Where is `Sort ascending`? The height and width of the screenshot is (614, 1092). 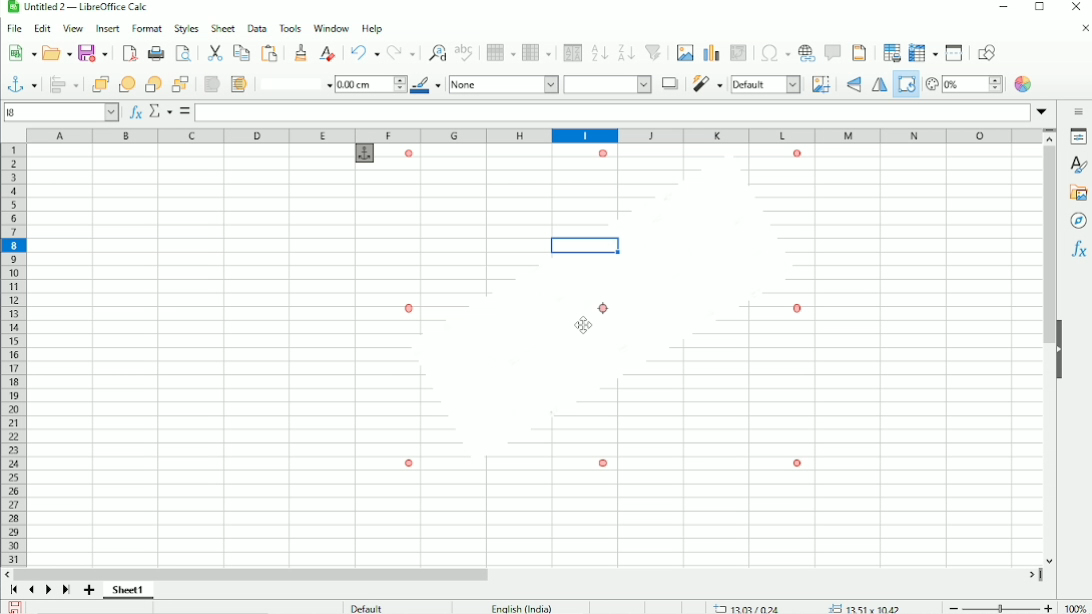
Sort ascending is located at coordinates (599, 53).